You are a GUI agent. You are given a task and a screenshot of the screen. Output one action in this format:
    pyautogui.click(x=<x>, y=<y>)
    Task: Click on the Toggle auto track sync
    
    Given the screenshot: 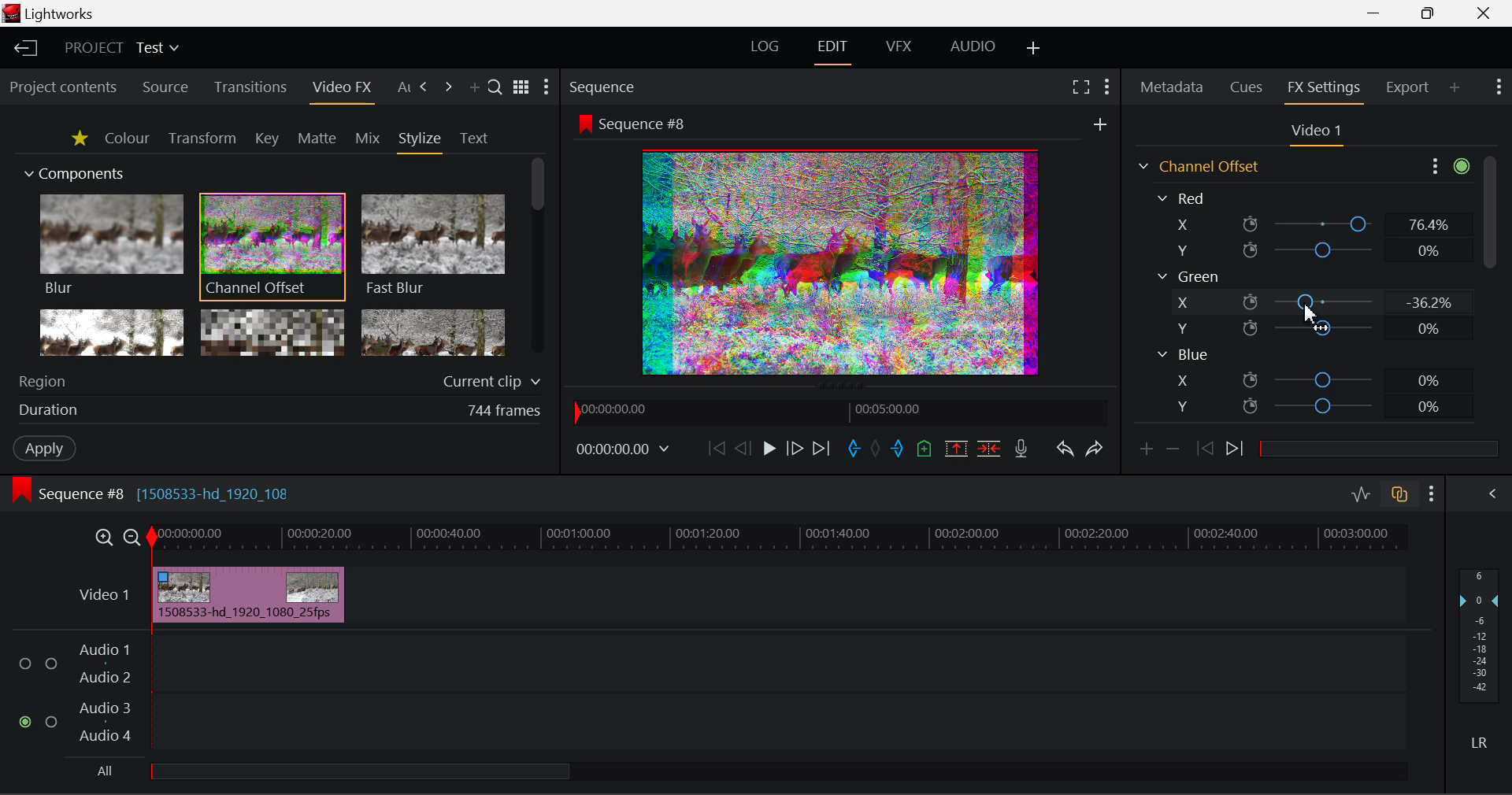 What is the action you would take?
    pyautogui.click(x=1398, y=494)
    